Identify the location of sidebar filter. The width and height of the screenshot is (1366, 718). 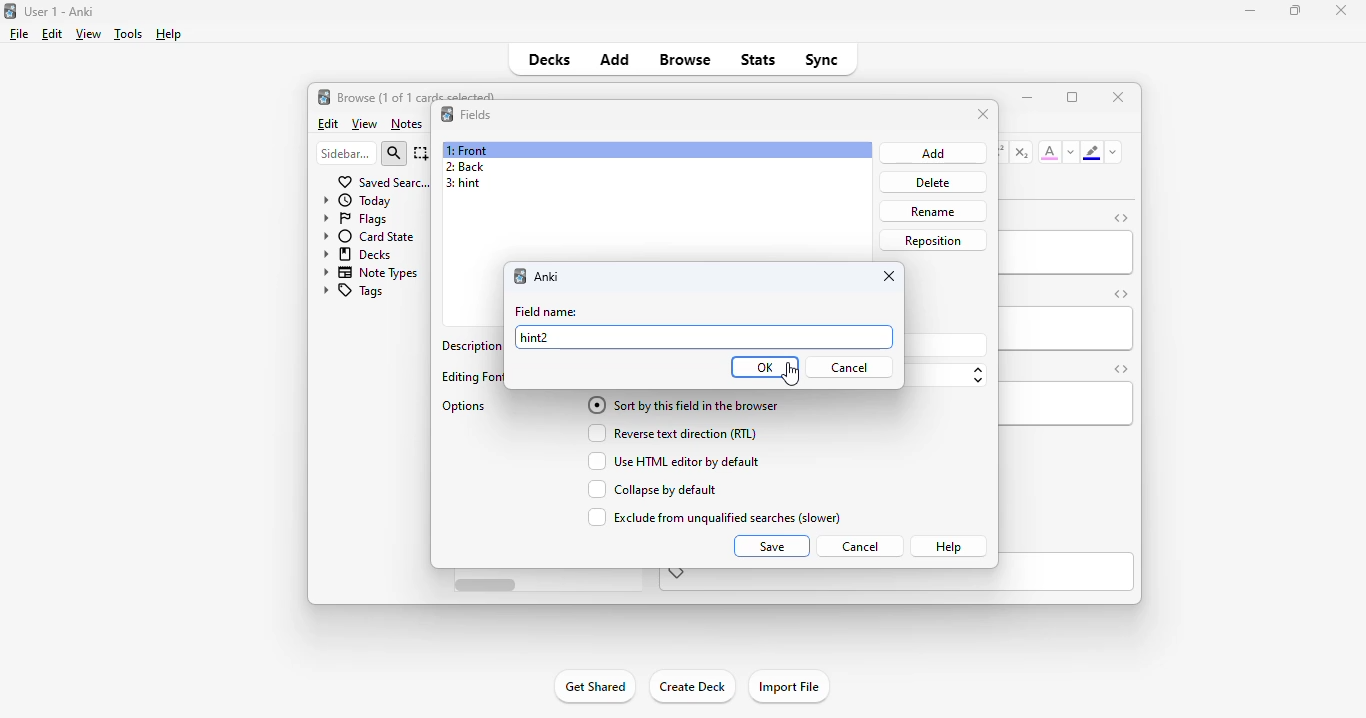
(346, 153).